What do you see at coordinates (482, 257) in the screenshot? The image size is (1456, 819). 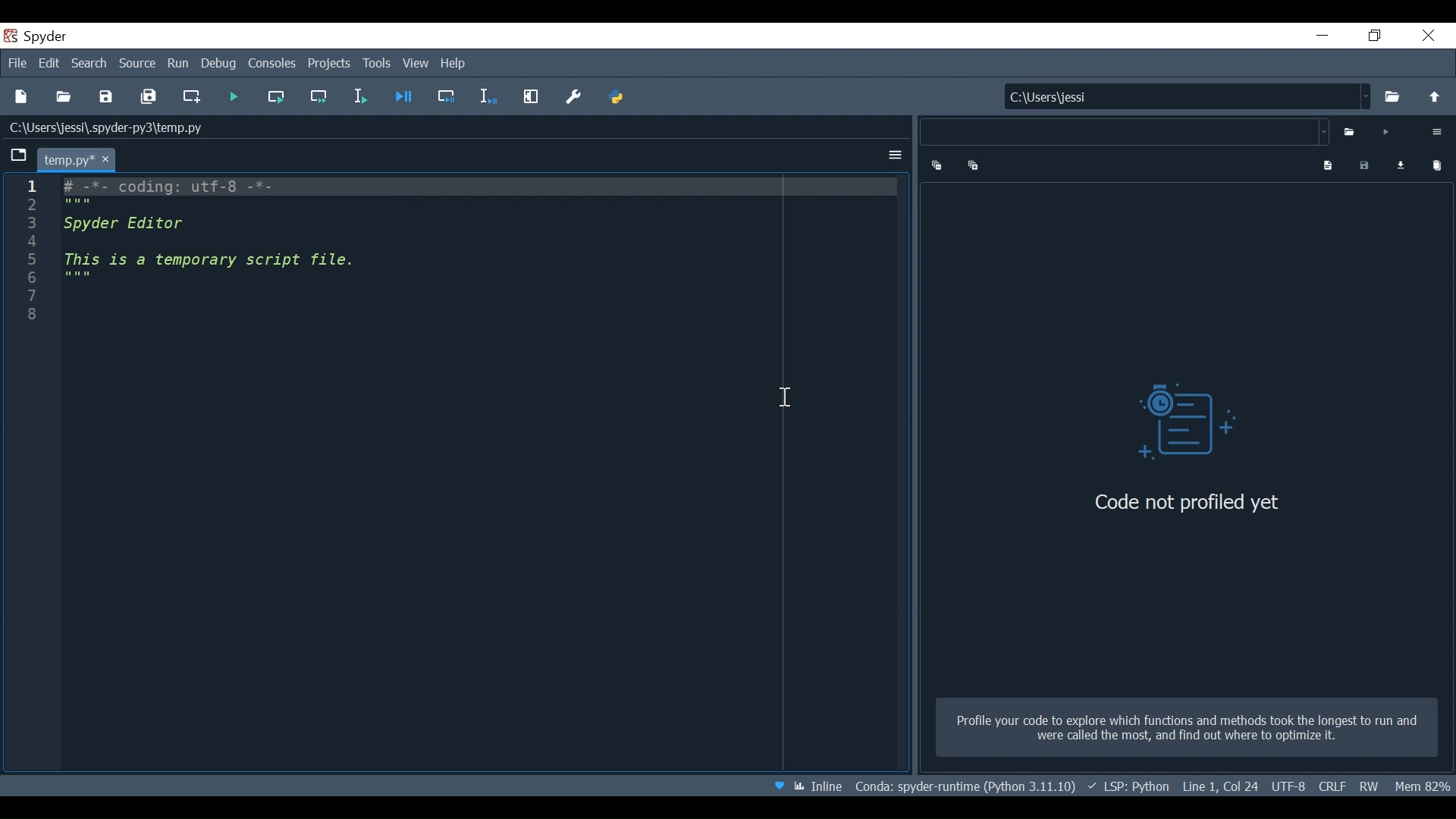 I see `# -*- coding: utf-8 -*- """ Spyder Editor  This is a temporary script file. """` at bounding box center [482, 257].